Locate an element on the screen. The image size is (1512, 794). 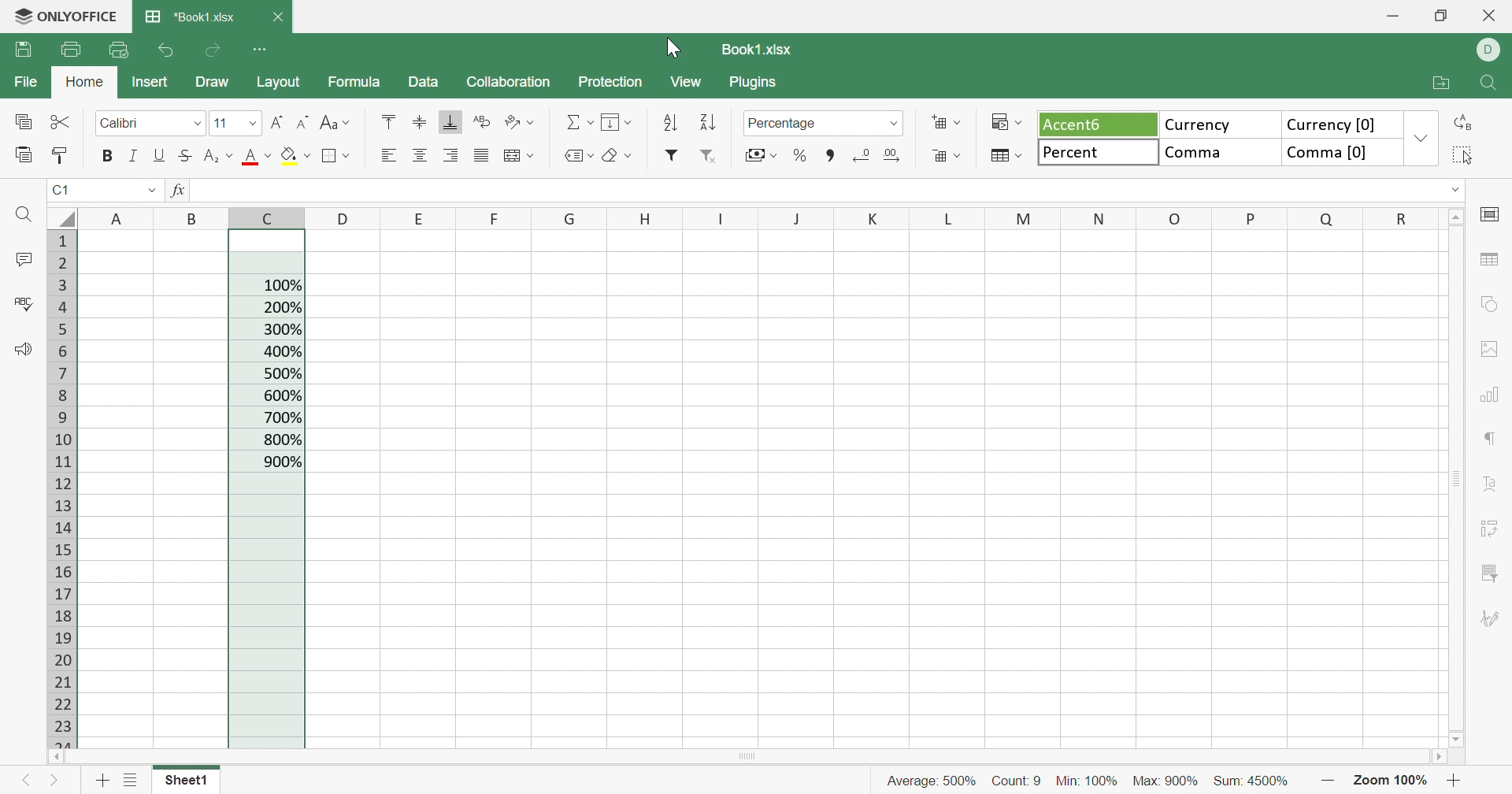
Justified is located at coordinates (484, 155).